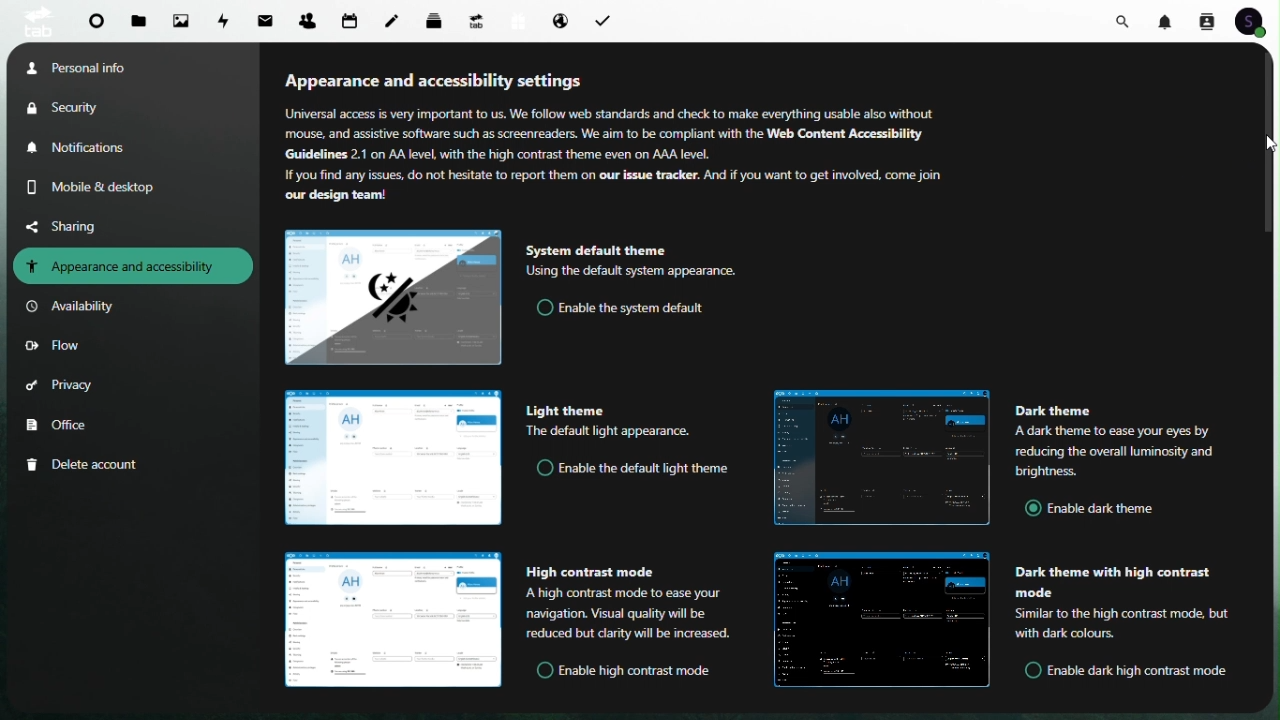  I want to click on Enable the default light theme, so click(636, 469).